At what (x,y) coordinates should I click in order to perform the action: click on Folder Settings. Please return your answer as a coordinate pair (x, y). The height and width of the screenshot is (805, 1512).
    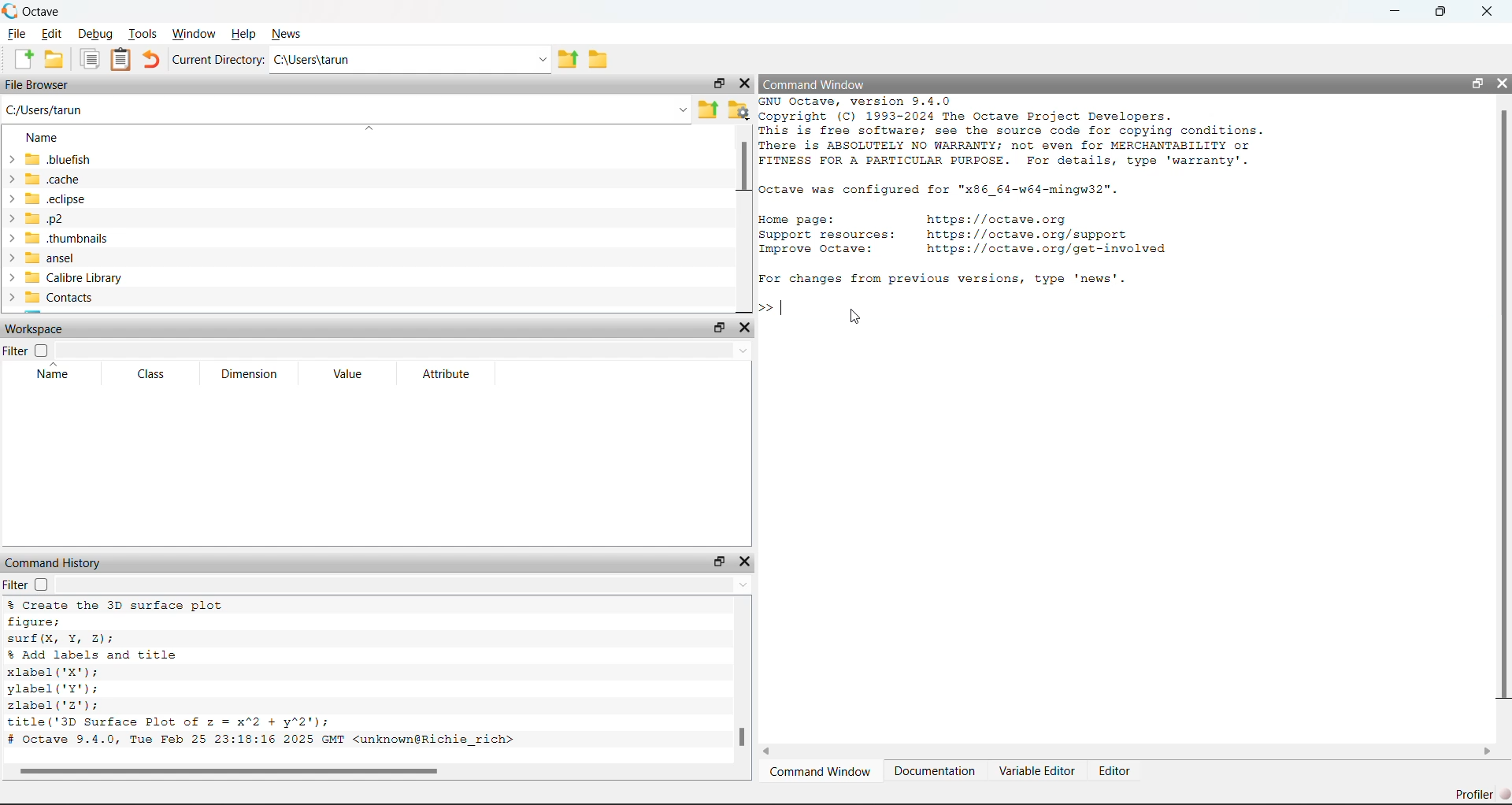
    Looking at the image, I should click on (738, 109).